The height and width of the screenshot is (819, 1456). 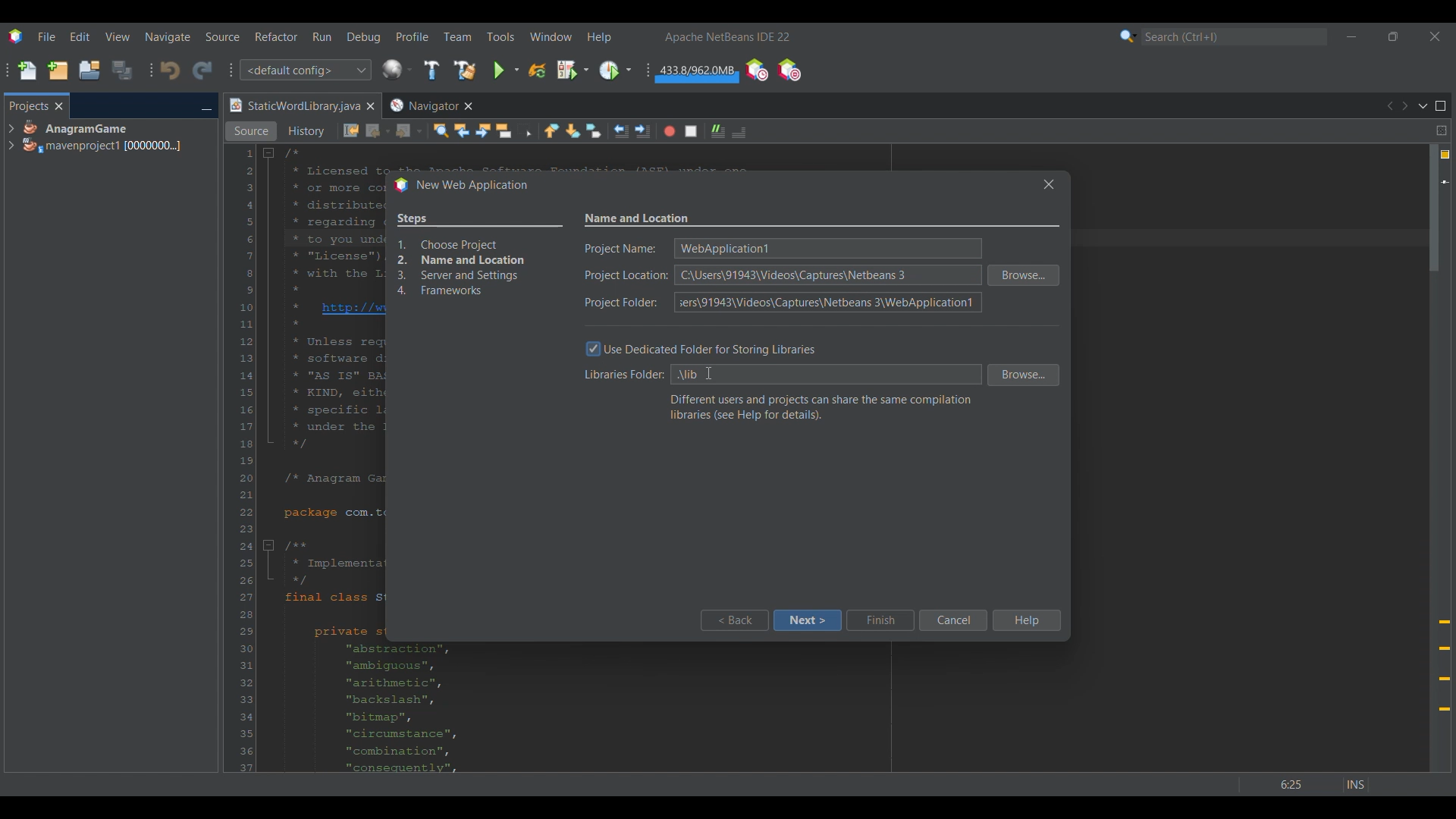 I want to click on New file, so click(x=27, y=71).